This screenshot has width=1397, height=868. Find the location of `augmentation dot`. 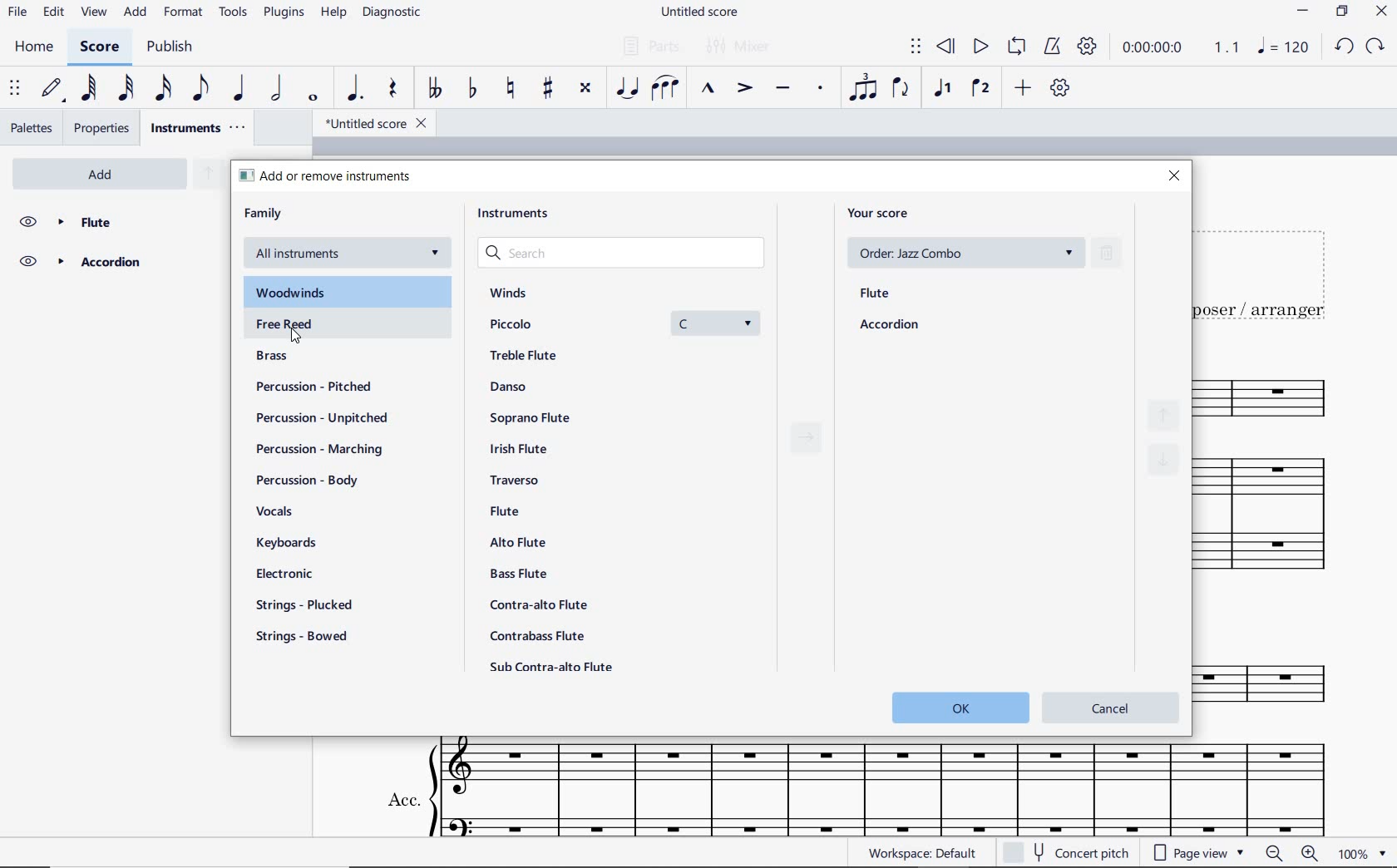

augmentation dot is located at coordinates (355, 88).